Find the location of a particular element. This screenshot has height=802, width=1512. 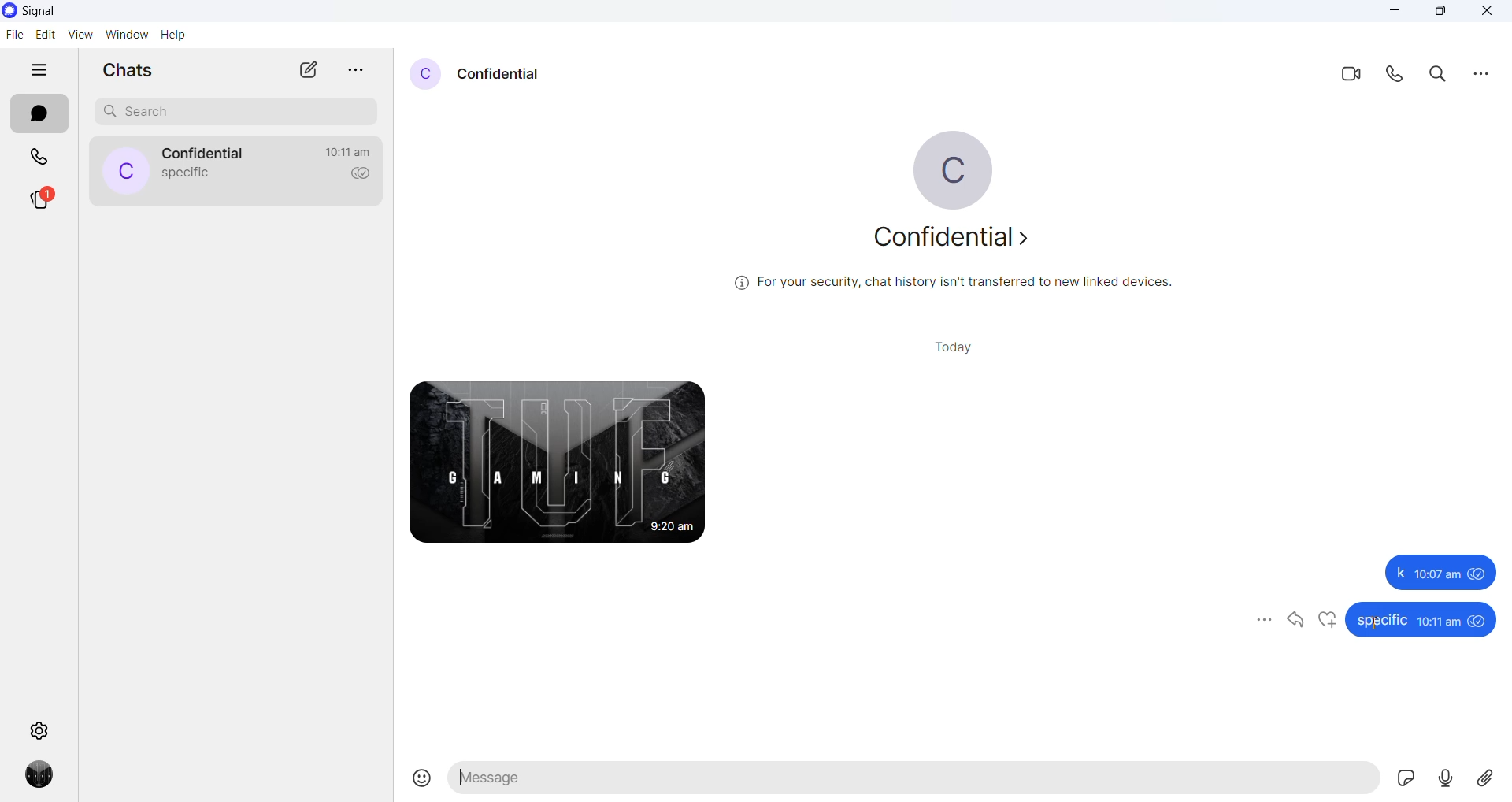

help is located at coordinates (172, 36).